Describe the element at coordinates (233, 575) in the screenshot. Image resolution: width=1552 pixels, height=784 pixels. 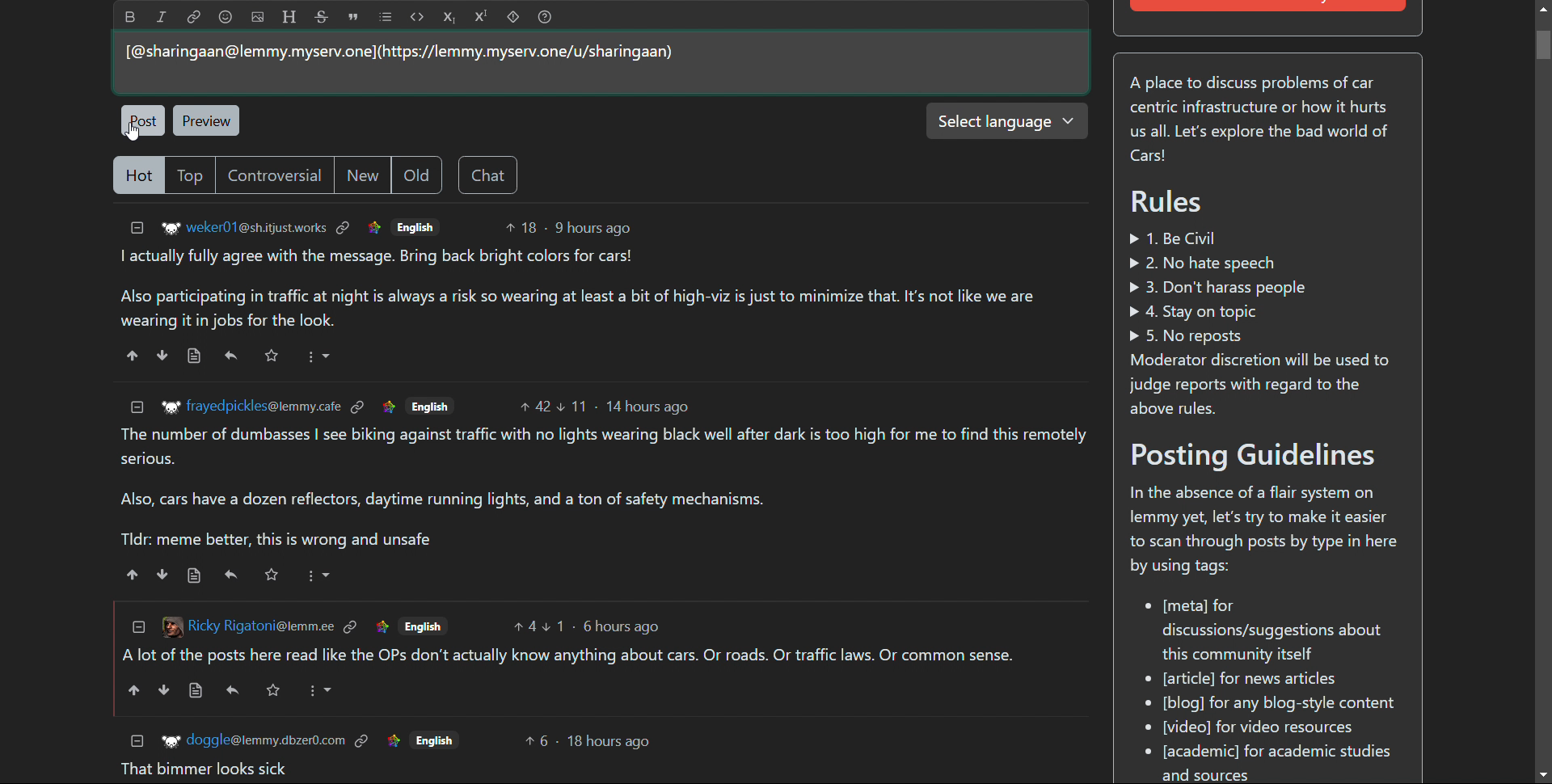
I see `reply` at that location.